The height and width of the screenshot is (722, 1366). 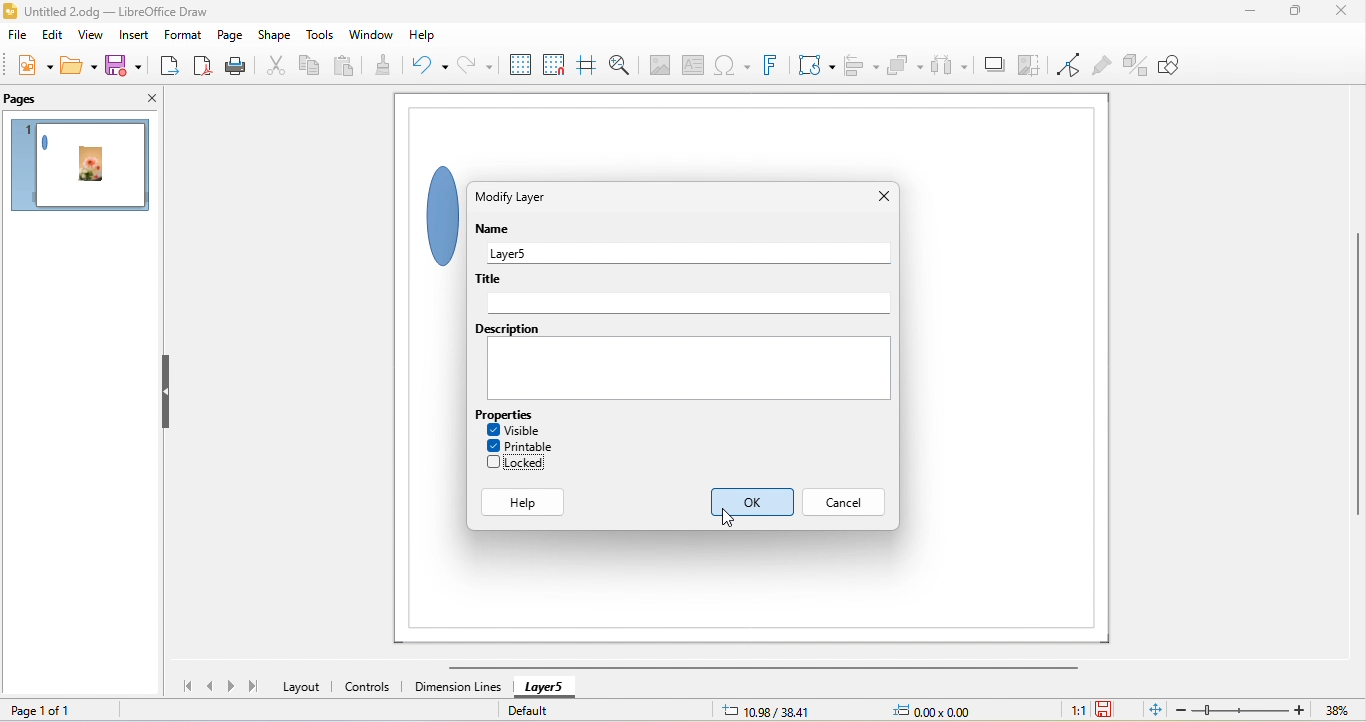 What do you see at coordinates (541, 709) in the screenshot?
I see `default` at bounding box center [541, 709].